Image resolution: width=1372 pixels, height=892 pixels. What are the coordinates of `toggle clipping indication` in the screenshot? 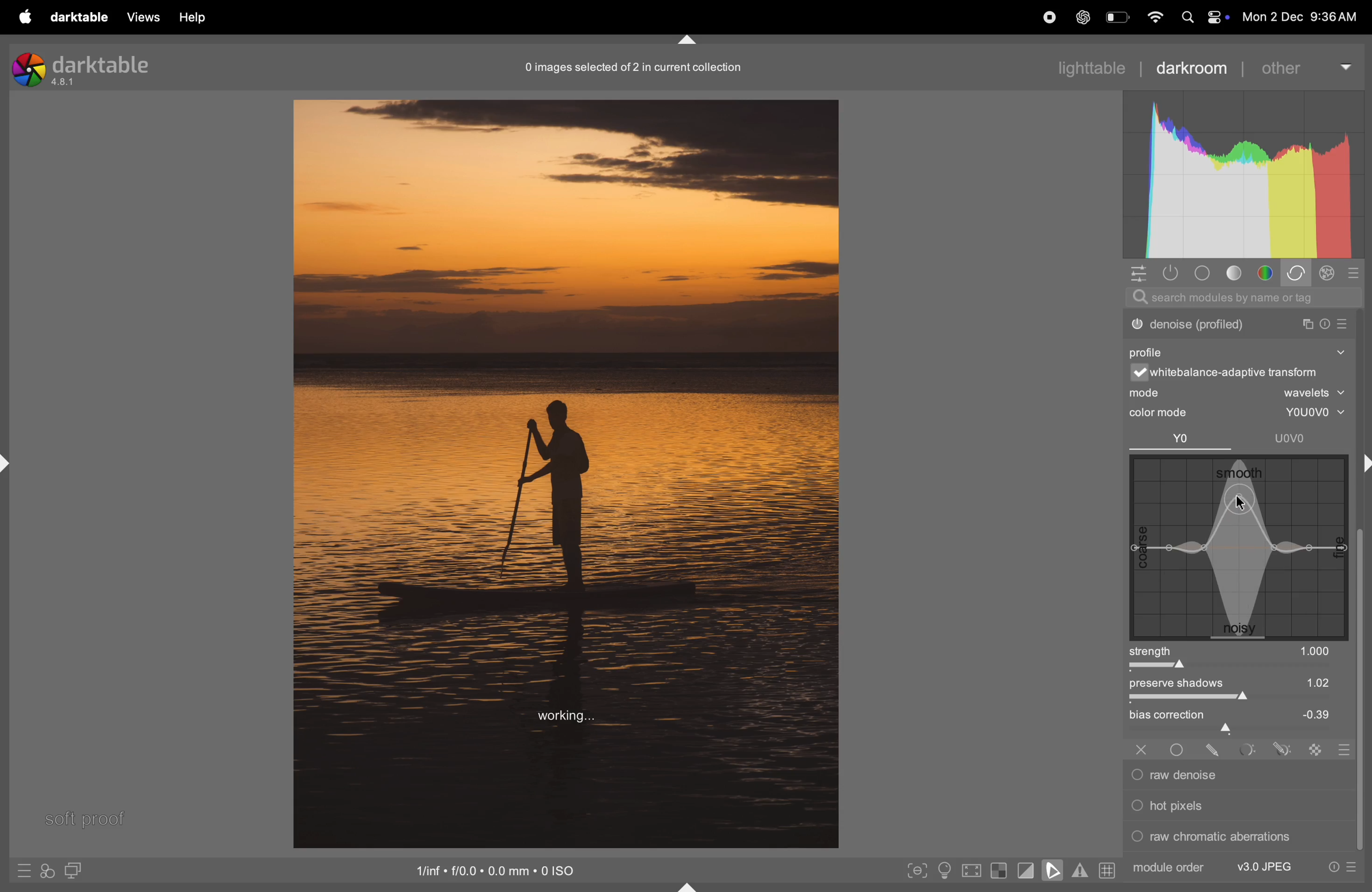 It's located at (1024, 872).